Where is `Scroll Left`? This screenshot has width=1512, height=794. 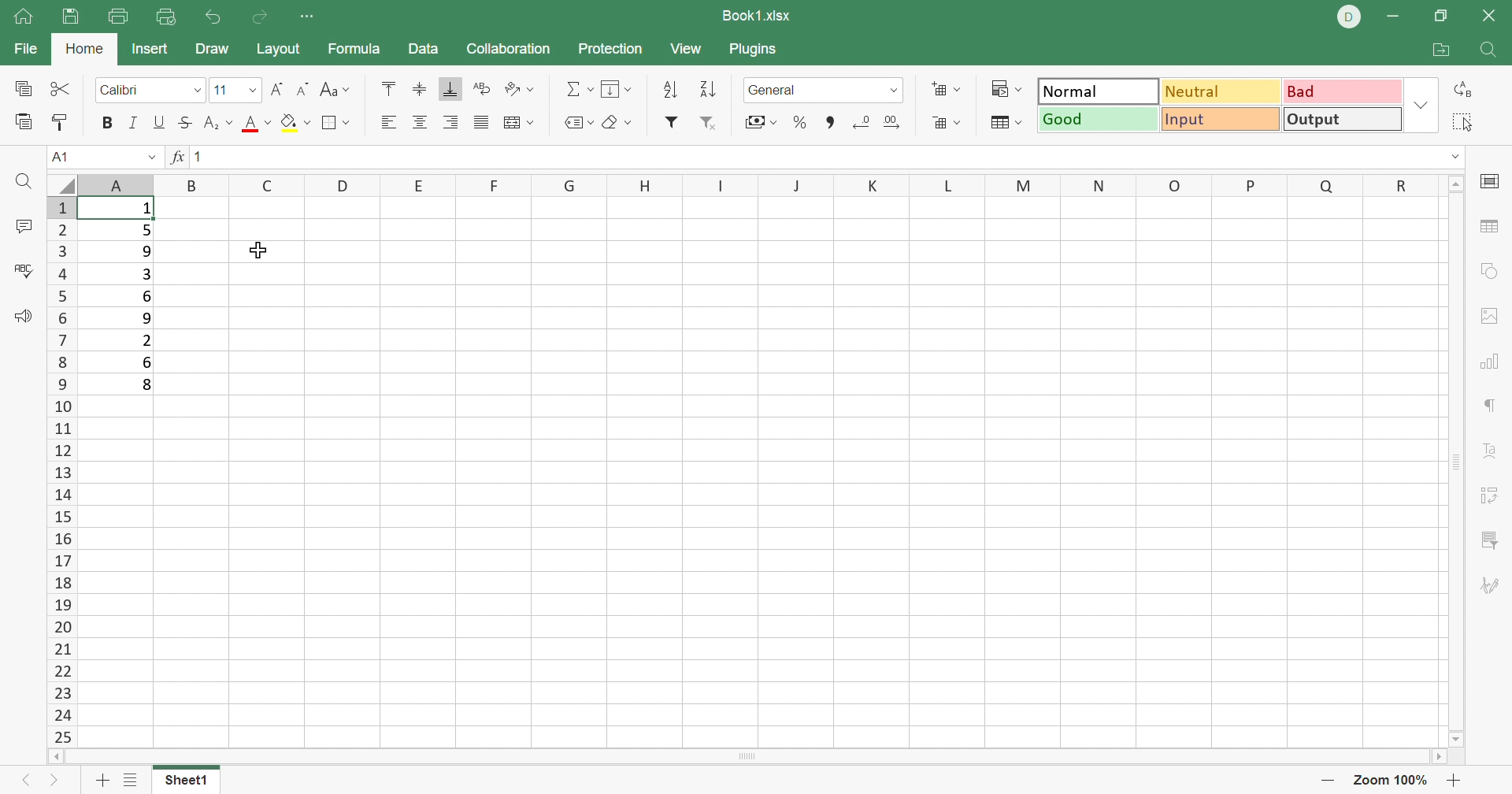 Scroll Left is located at coordinates (61, 758).